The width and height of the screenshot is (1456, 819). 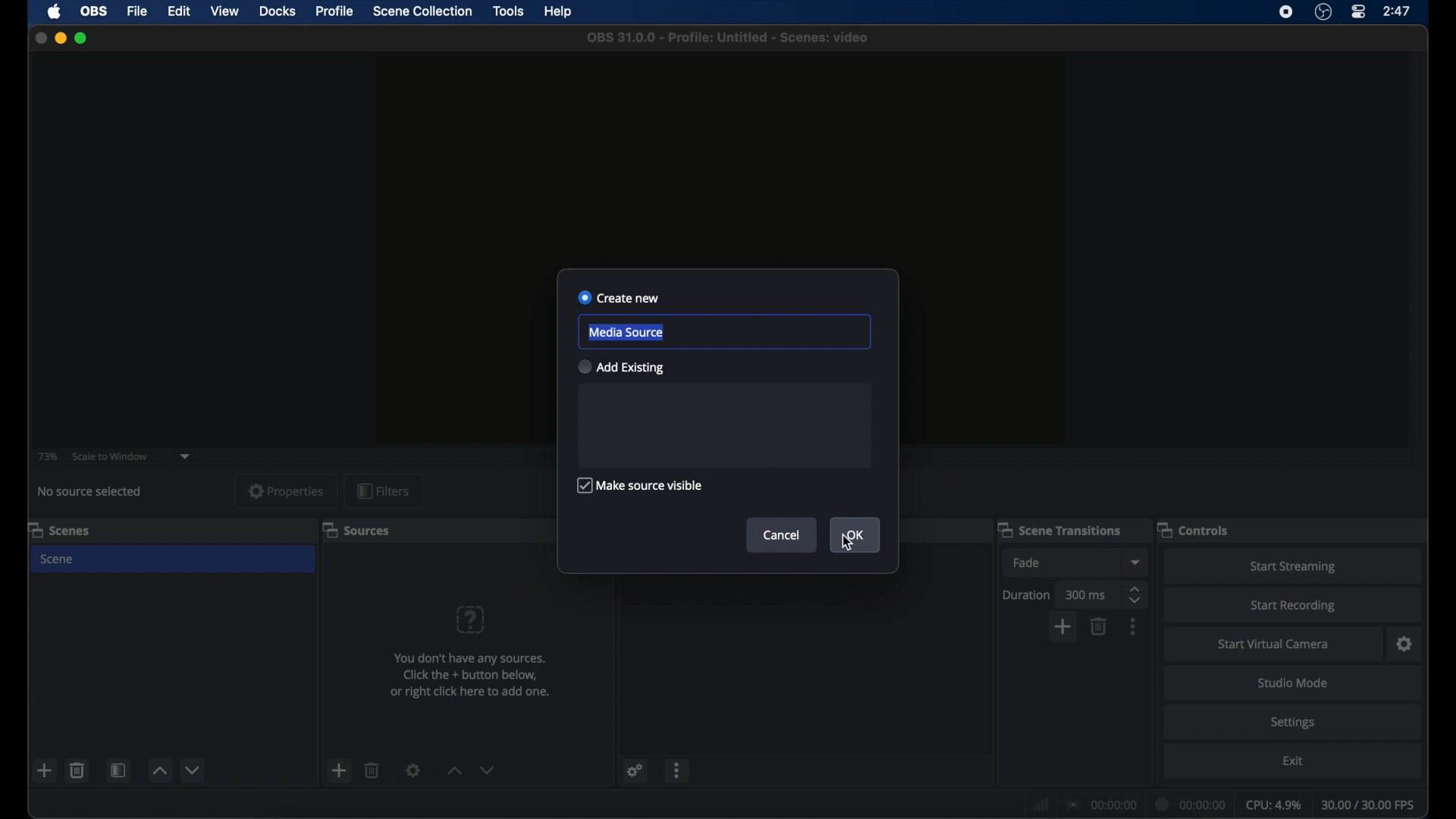 I want to click on delete, so click(x=77, y=770).